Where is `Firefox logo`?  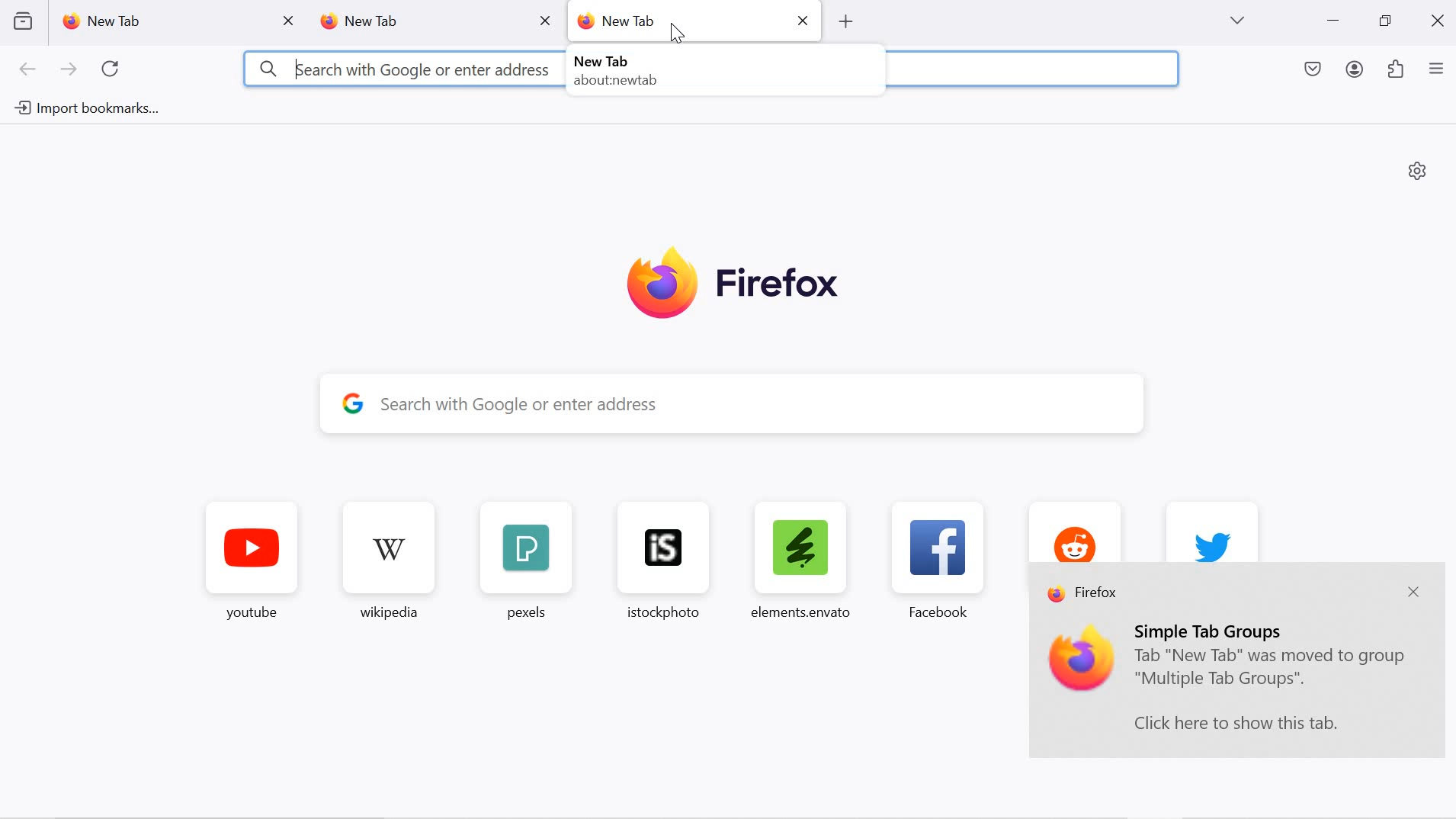 Firefox logo is located at coordinates (733, 285).